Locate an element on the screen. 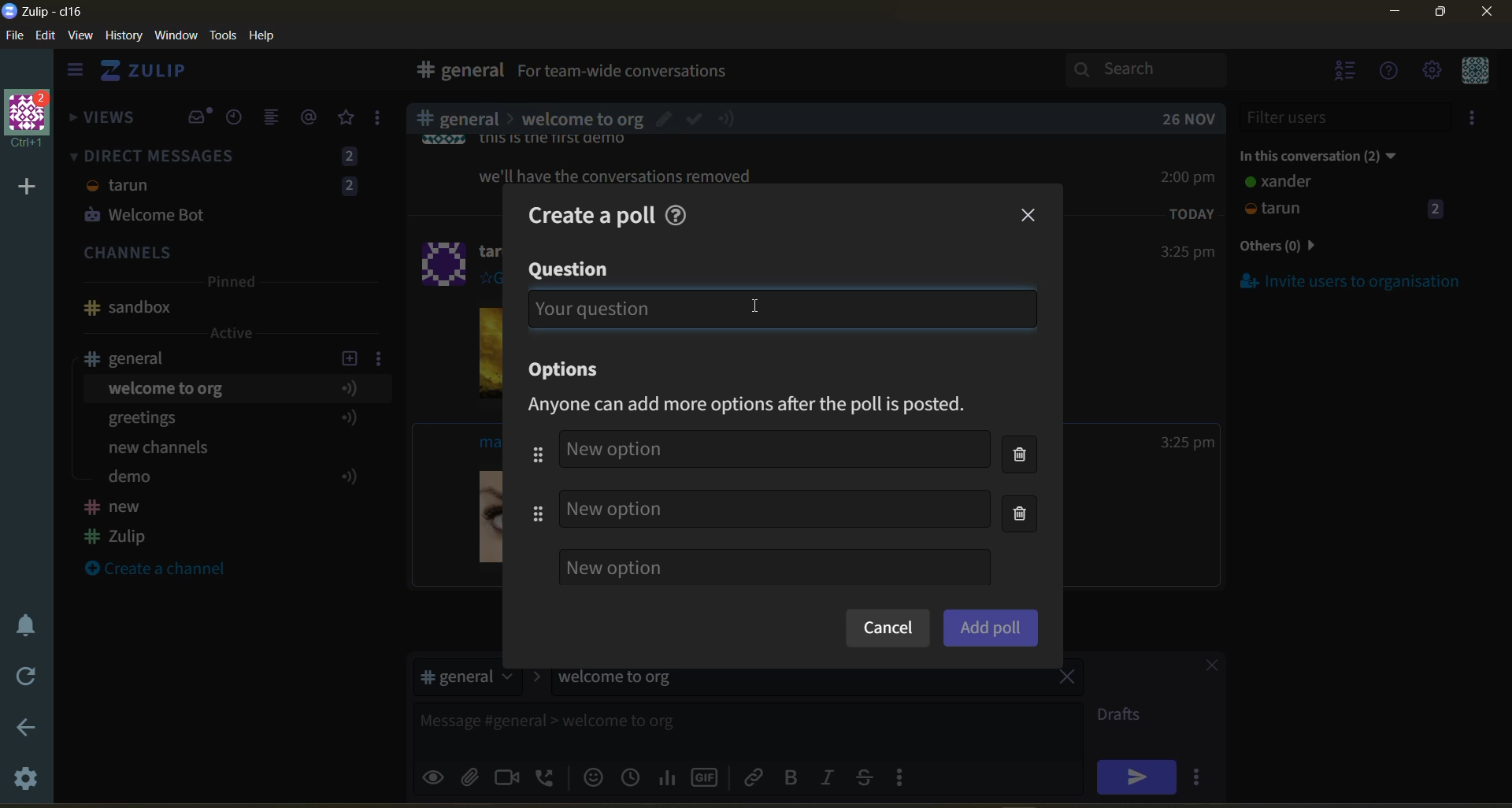 The image size is (1512, 808). maximize is located at coordinates (1437, 17).